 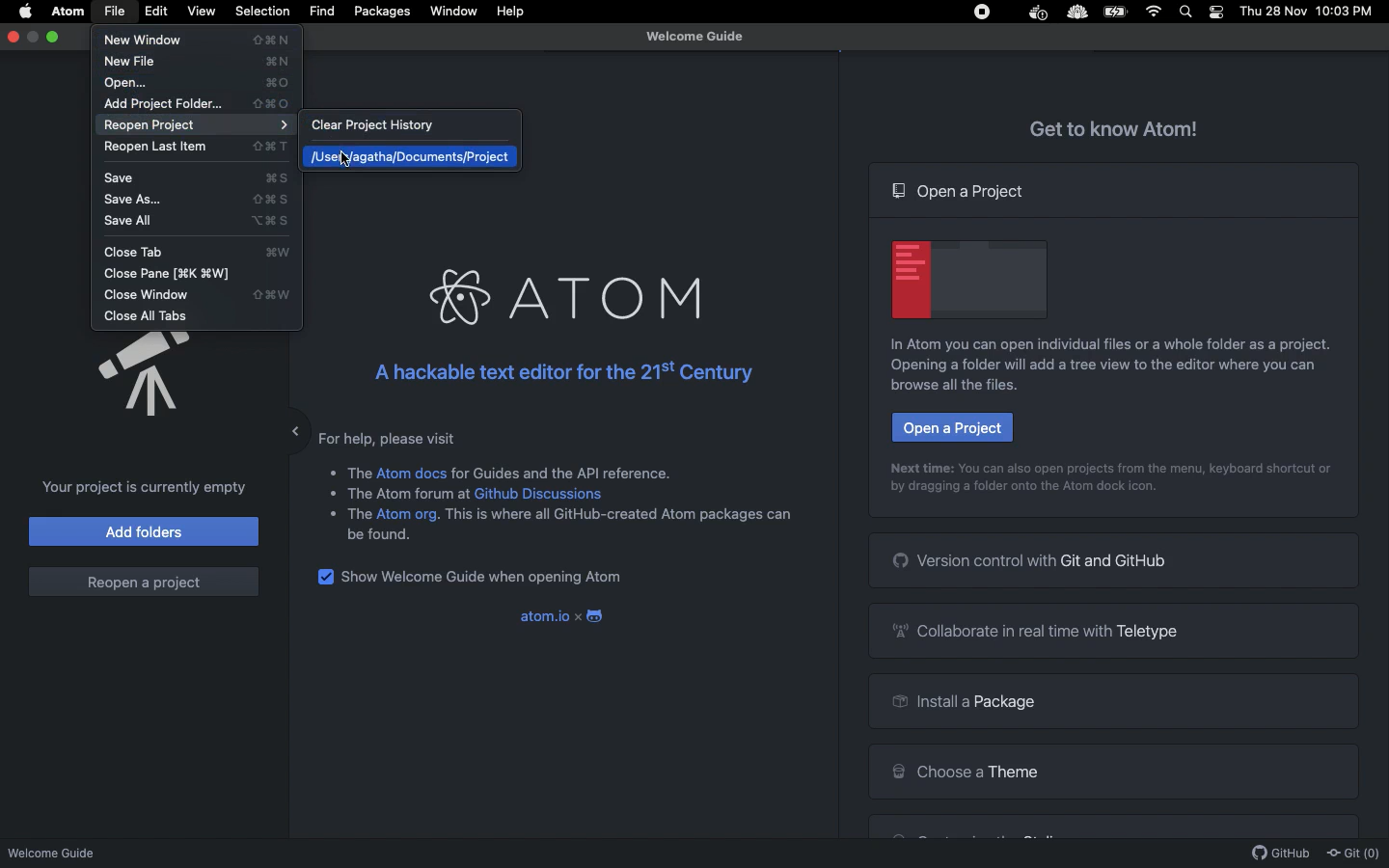 What do you see at coordinates (985, 14) in the screenshot?
I see `stops` at bounding box center [985, 14].